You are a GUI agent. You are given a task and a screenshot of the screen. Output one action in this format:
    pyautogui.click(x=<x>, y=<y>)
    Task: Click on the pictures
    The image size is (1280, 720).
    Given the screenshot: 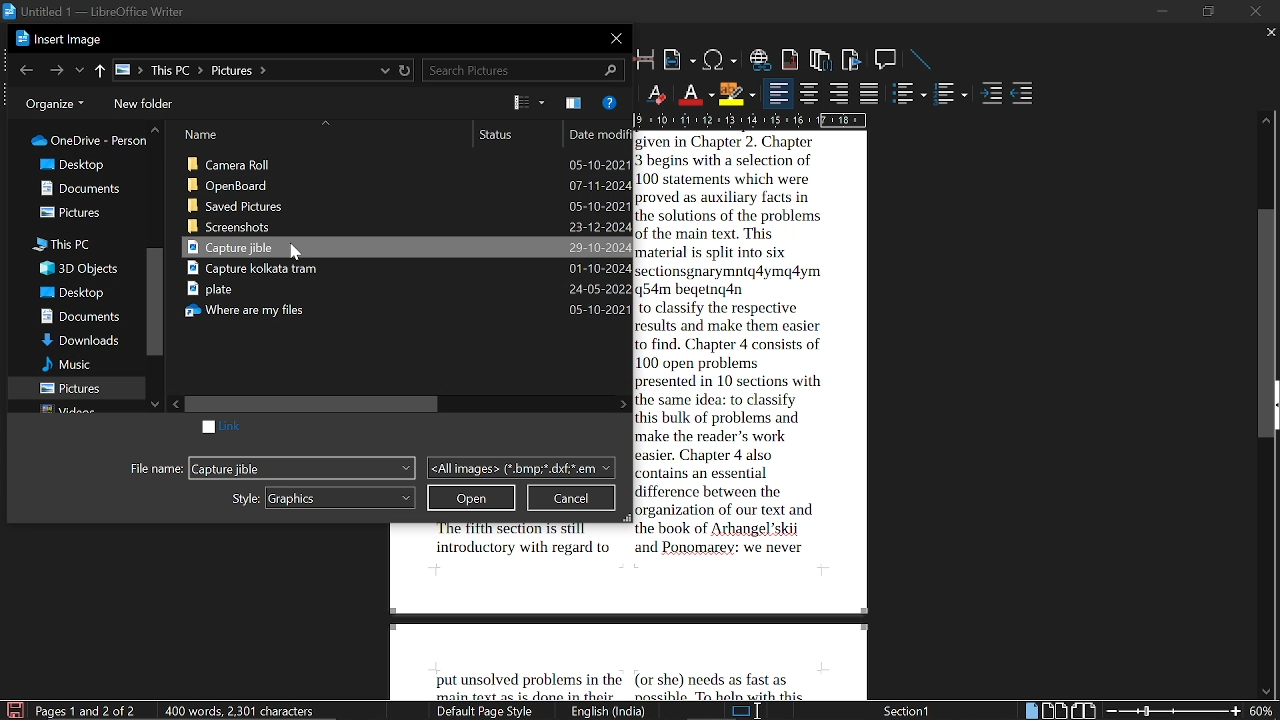 What is the action you would take?
    pyautogui.click(x=78, y=389)
    